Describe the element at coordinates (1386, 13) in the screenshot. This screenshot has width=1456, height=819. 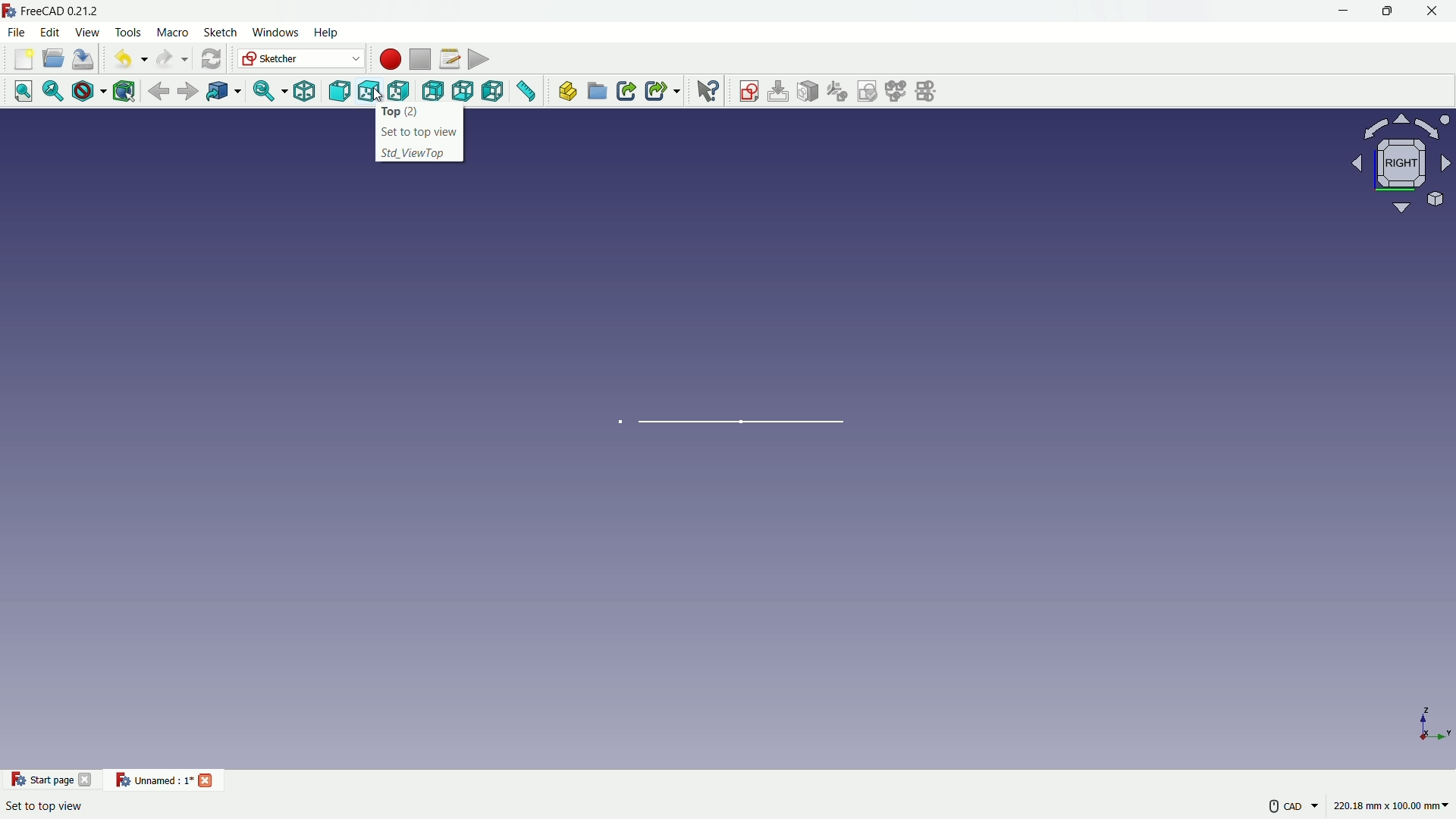
I see `maximize or restore` at that location.